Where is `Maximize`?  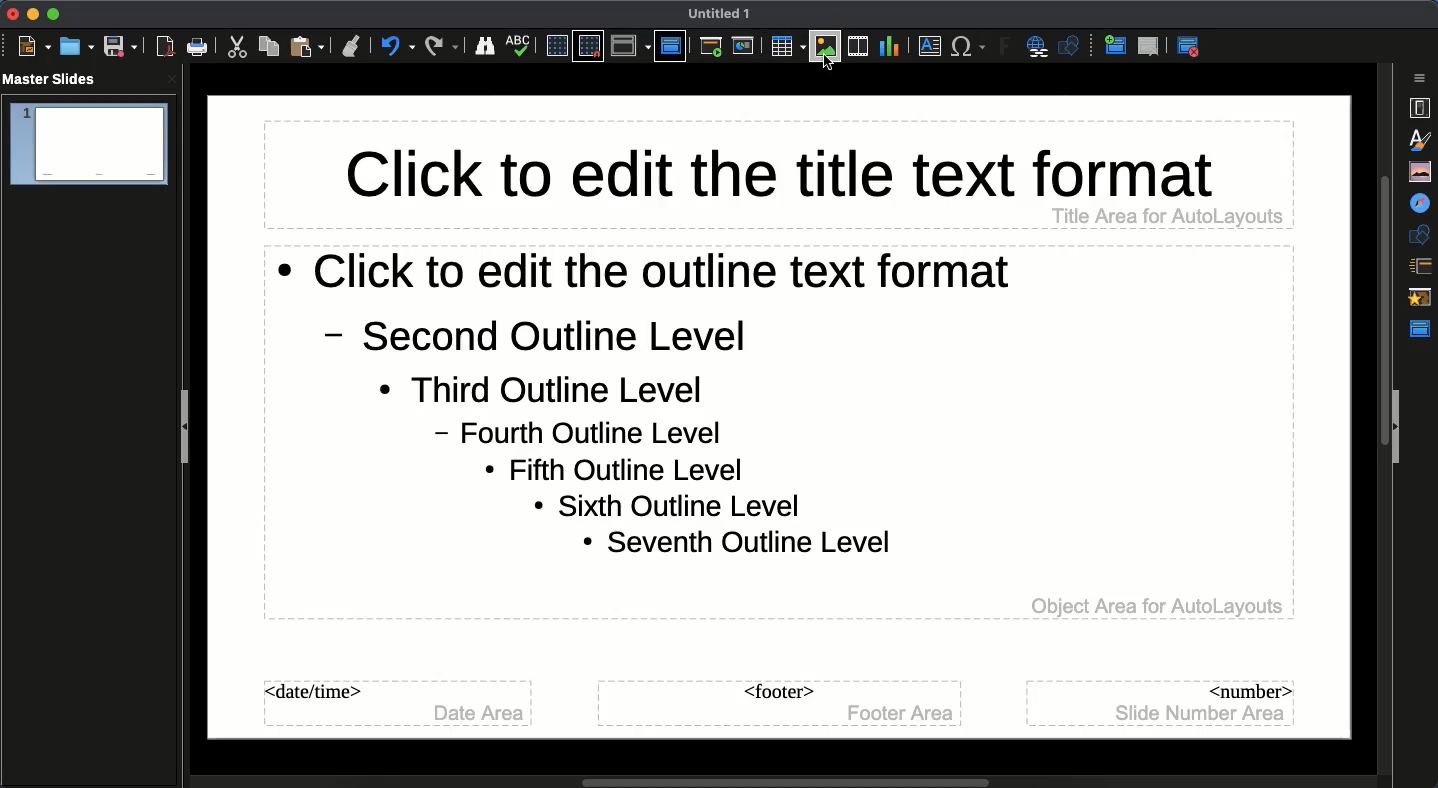 Maximize is located at coordinates (52, 14).